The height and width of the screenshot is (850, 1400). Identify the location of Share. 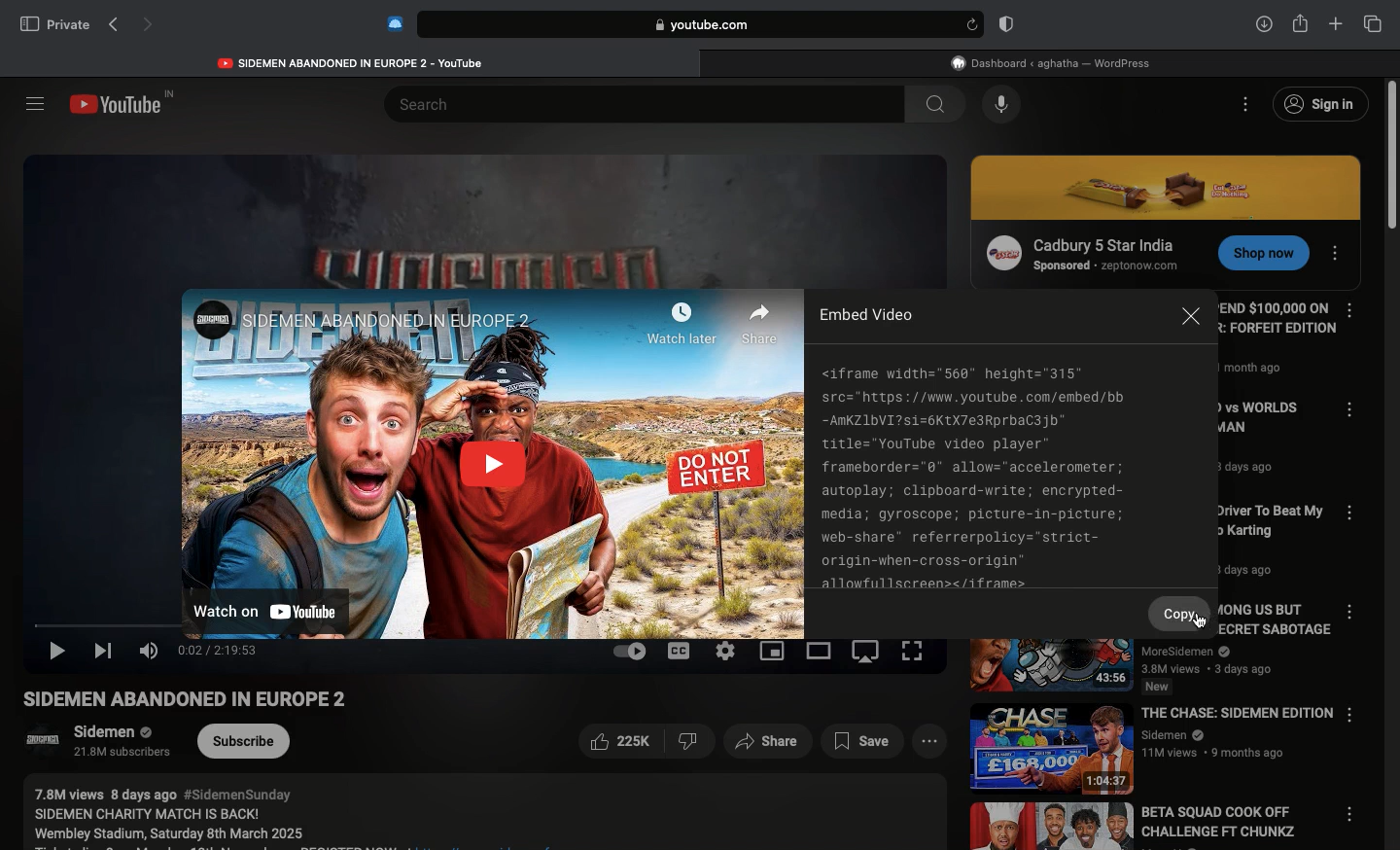
(1300, 21).